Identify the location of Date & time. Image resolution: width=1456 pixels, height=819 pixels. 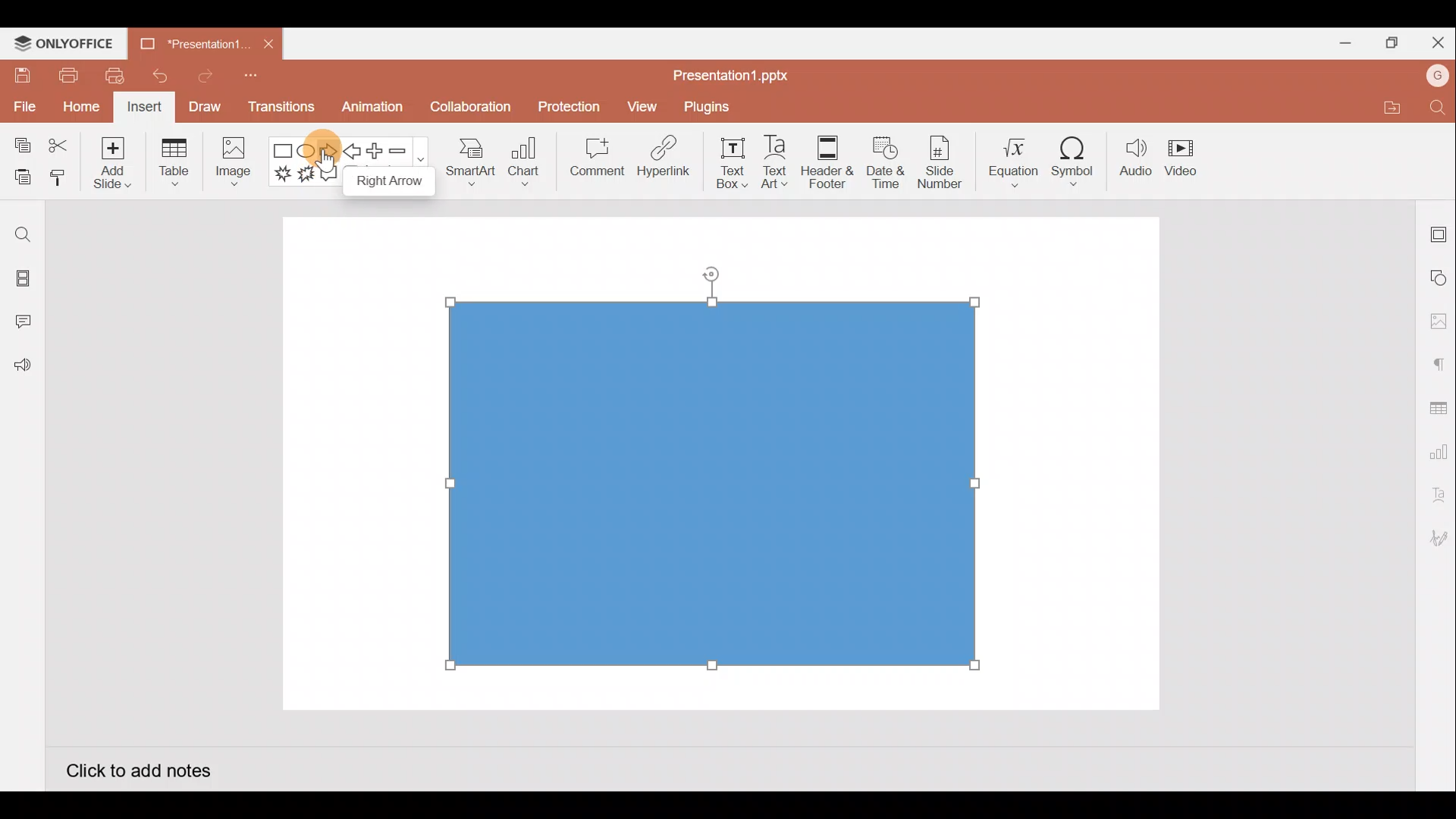
(886, 162).